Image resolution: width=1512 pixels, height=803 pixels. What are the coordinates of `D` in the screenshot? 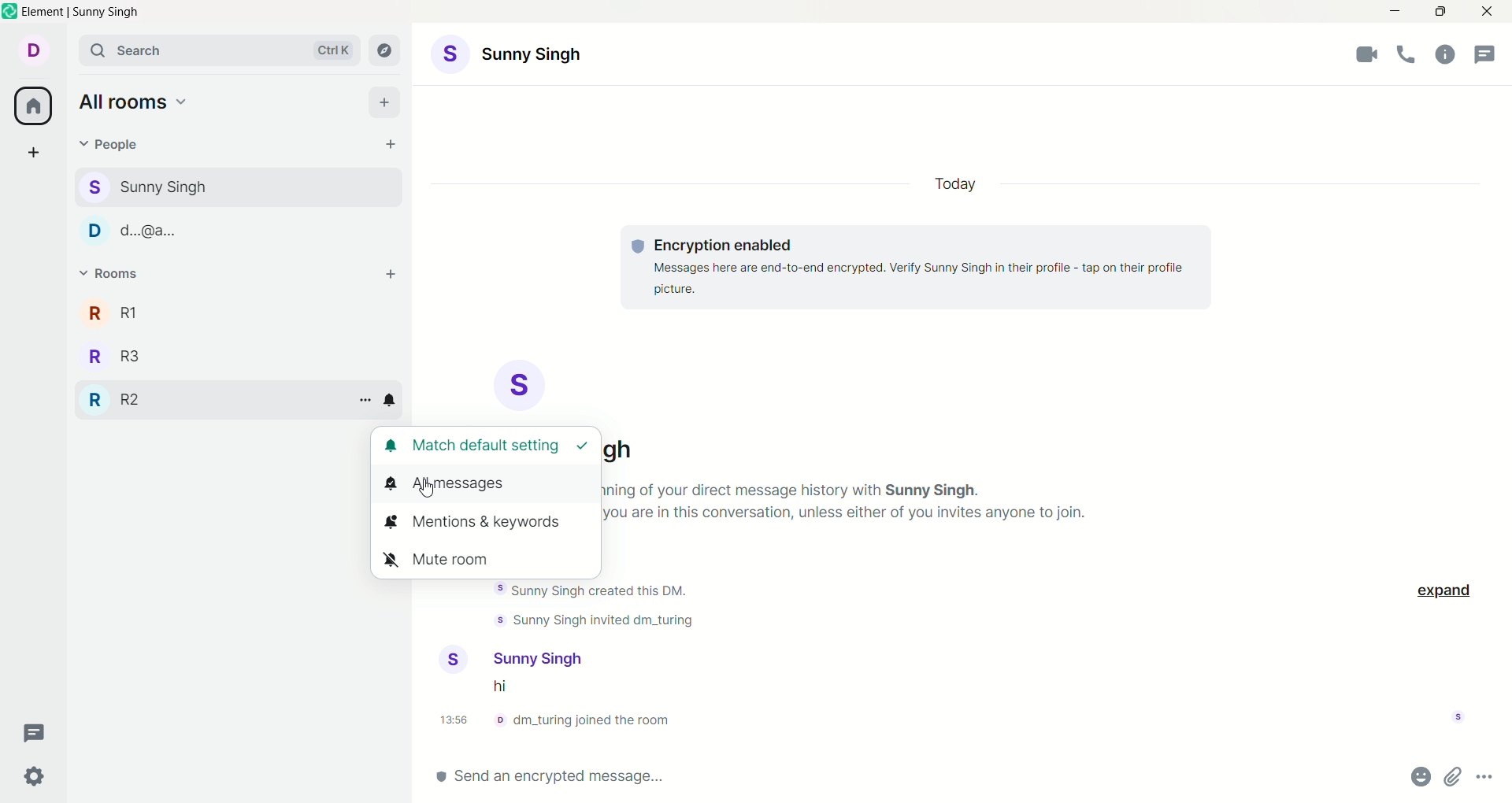 It's located at (135, 229).